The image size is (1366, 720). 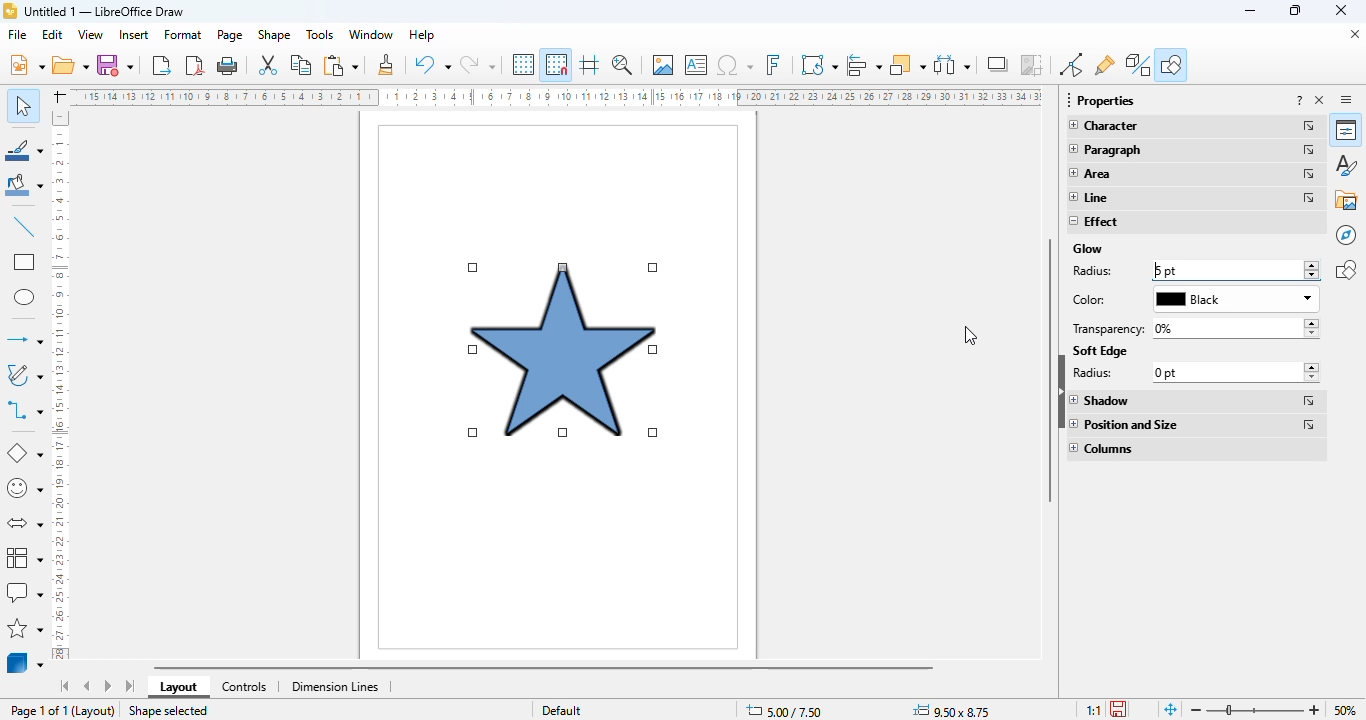 What do you see at coordinates (865, 64) in the screenshot?
I see `align objects` at bounding box center [865, 64].